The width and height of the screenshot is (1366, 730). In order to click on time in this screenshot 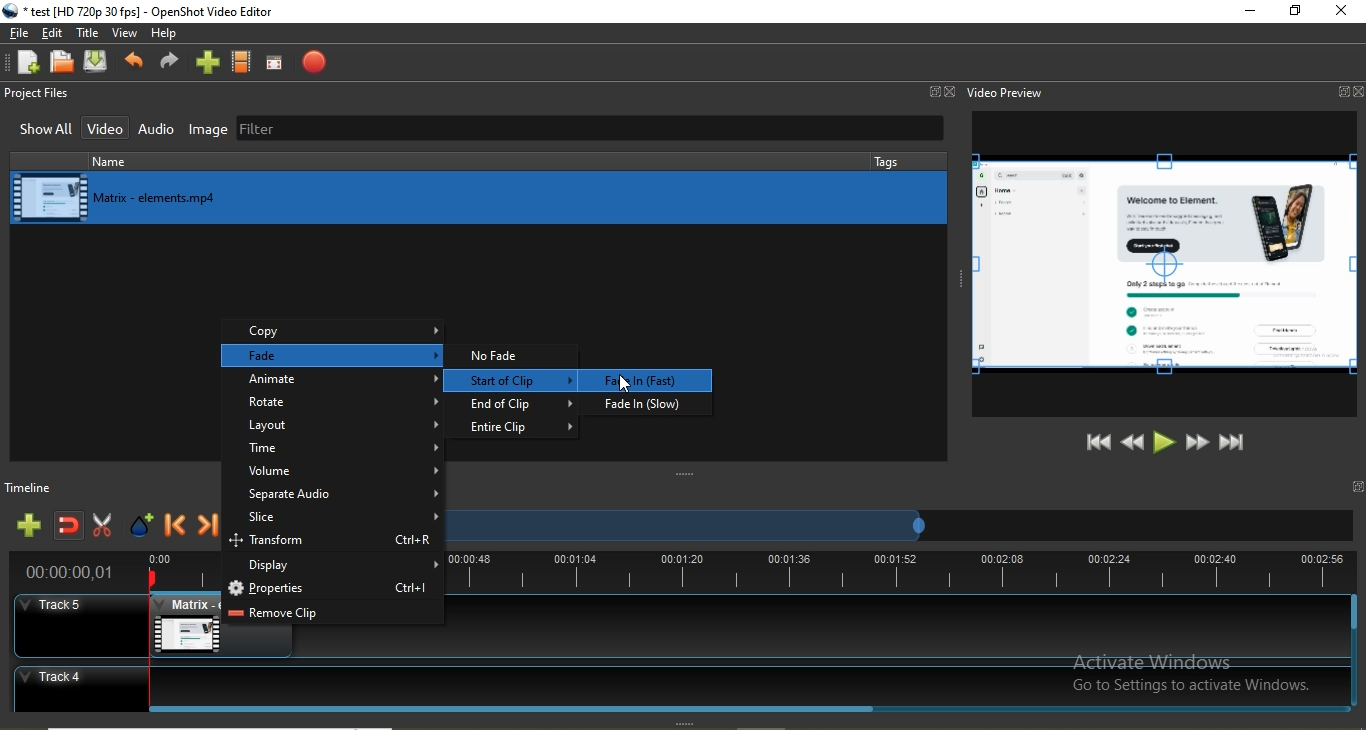, I will do `click(338, 450)`.